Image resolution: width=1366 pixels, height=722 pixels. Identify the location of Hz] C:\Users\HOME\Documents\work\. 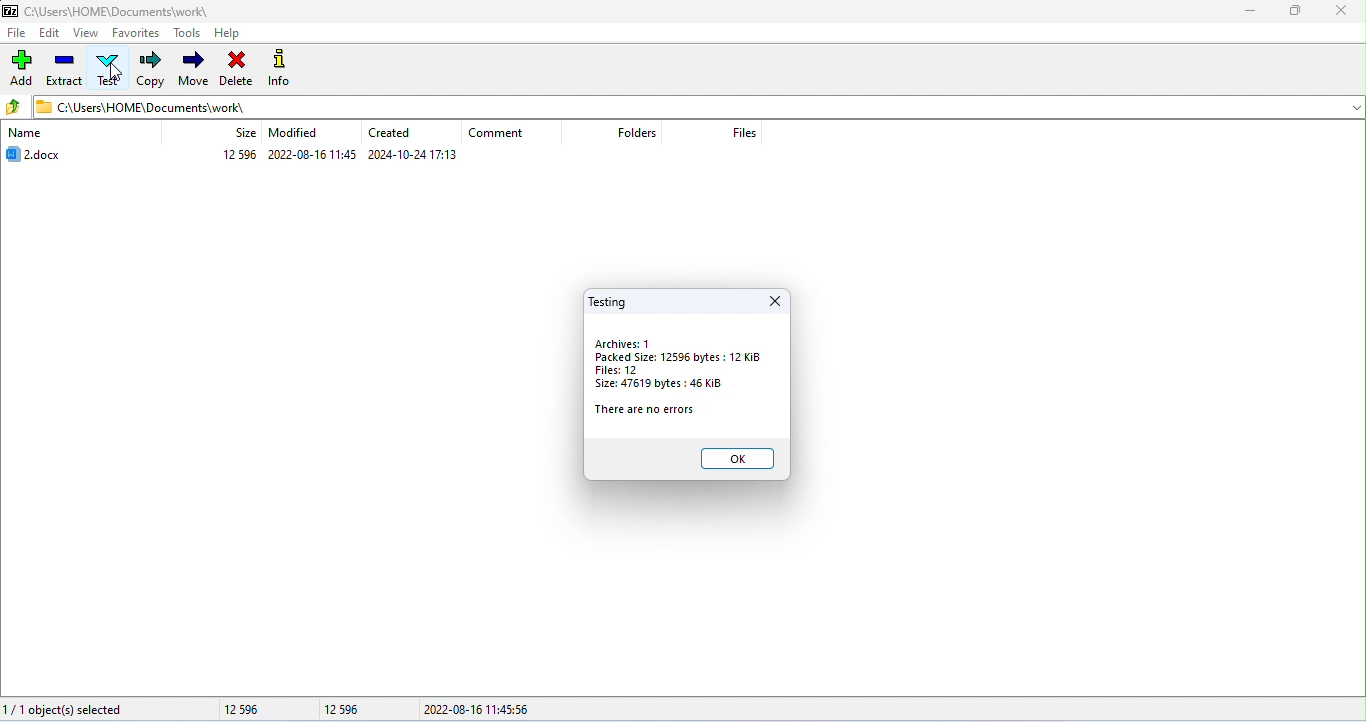
(139, 106).